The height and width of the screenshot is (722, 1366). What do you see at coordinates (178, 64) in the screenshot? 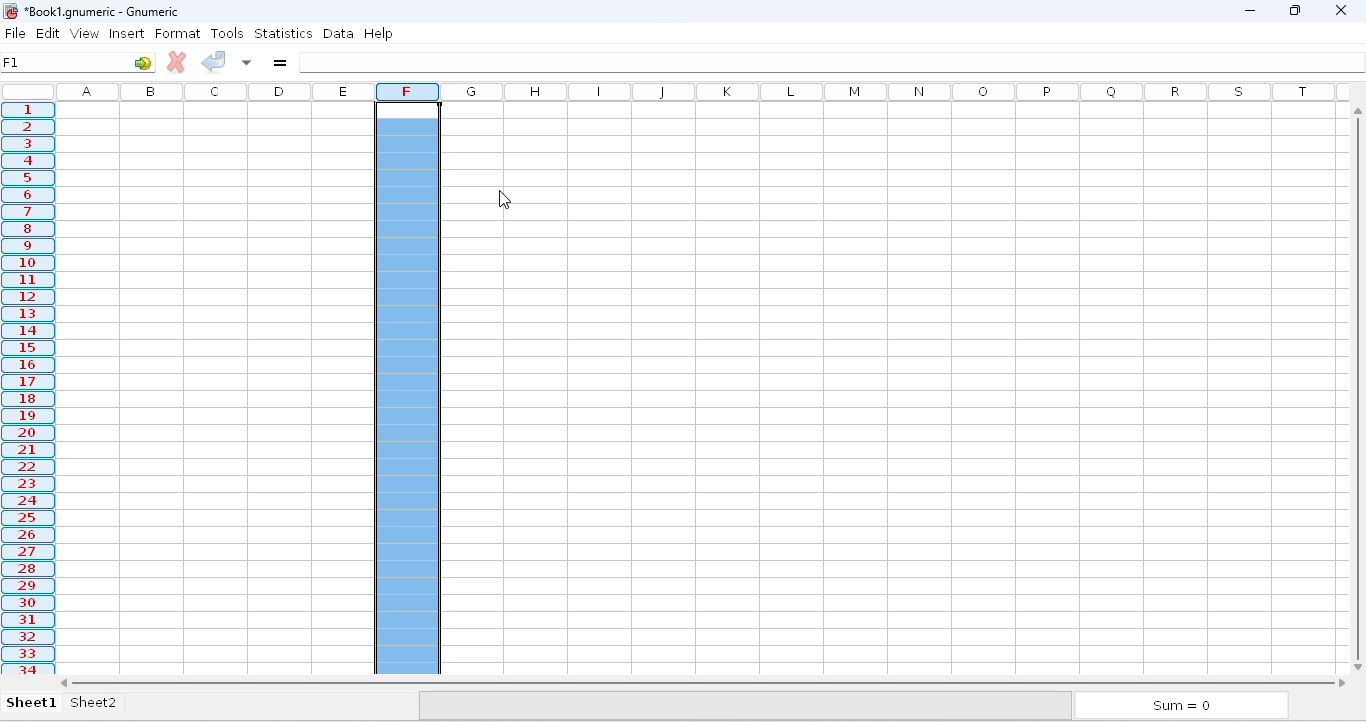
I see `cancel change` at bounding box center [178, 64].